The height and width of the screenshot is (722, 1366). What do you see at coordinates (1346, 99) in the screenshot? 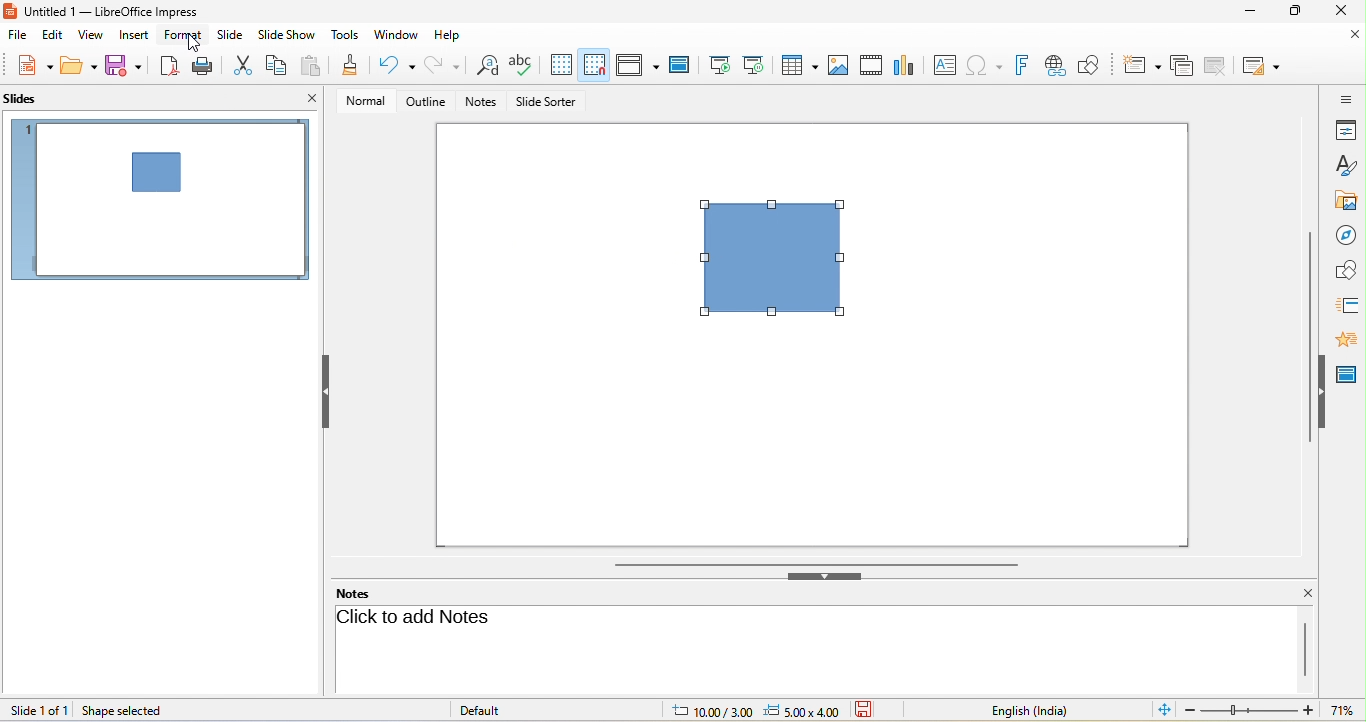
I see `sidebar setting` at bounding box center [1346, 99].